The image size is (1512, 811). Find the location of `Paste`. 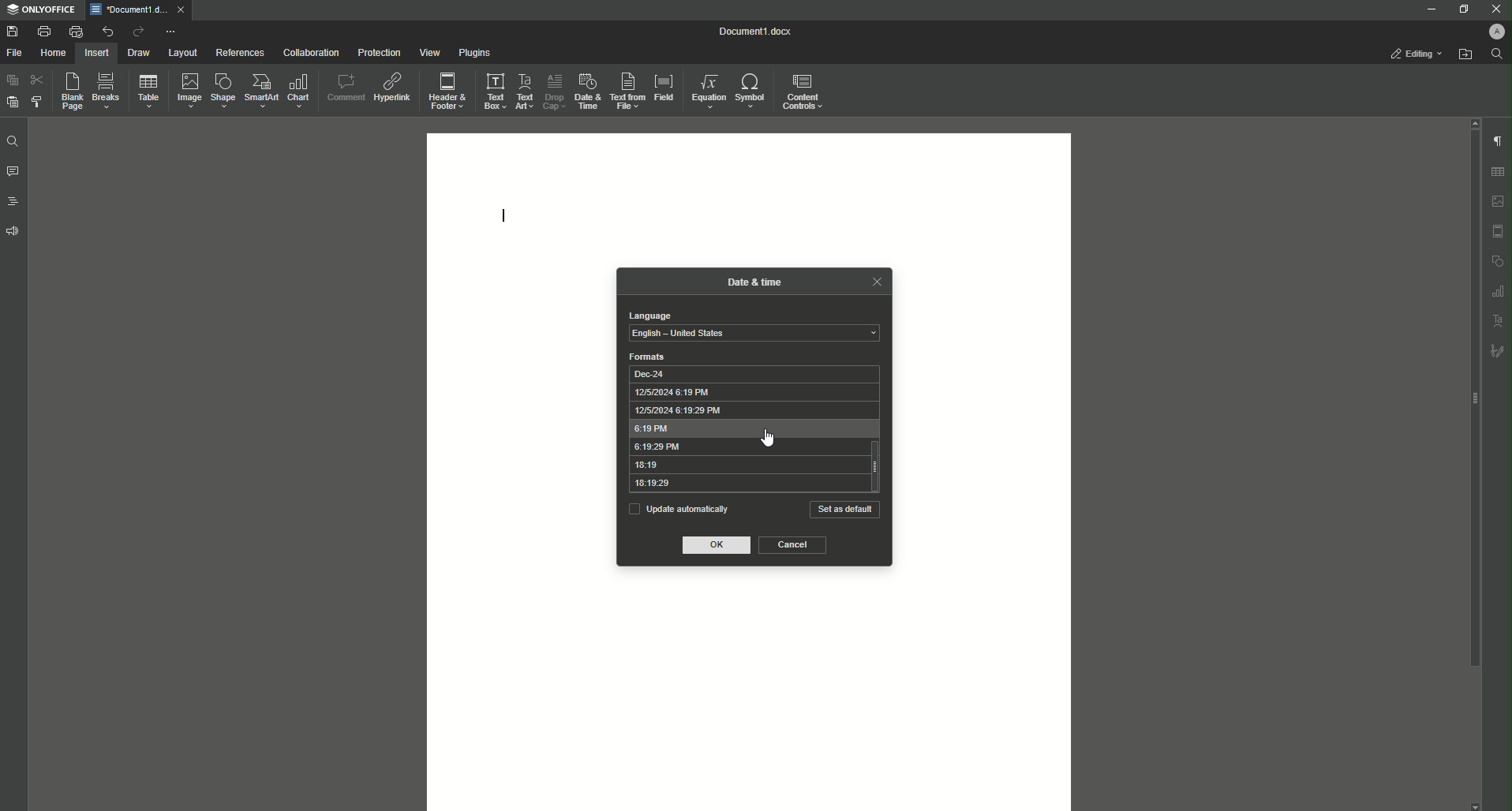

Paste is located at coordinates (11, 80).